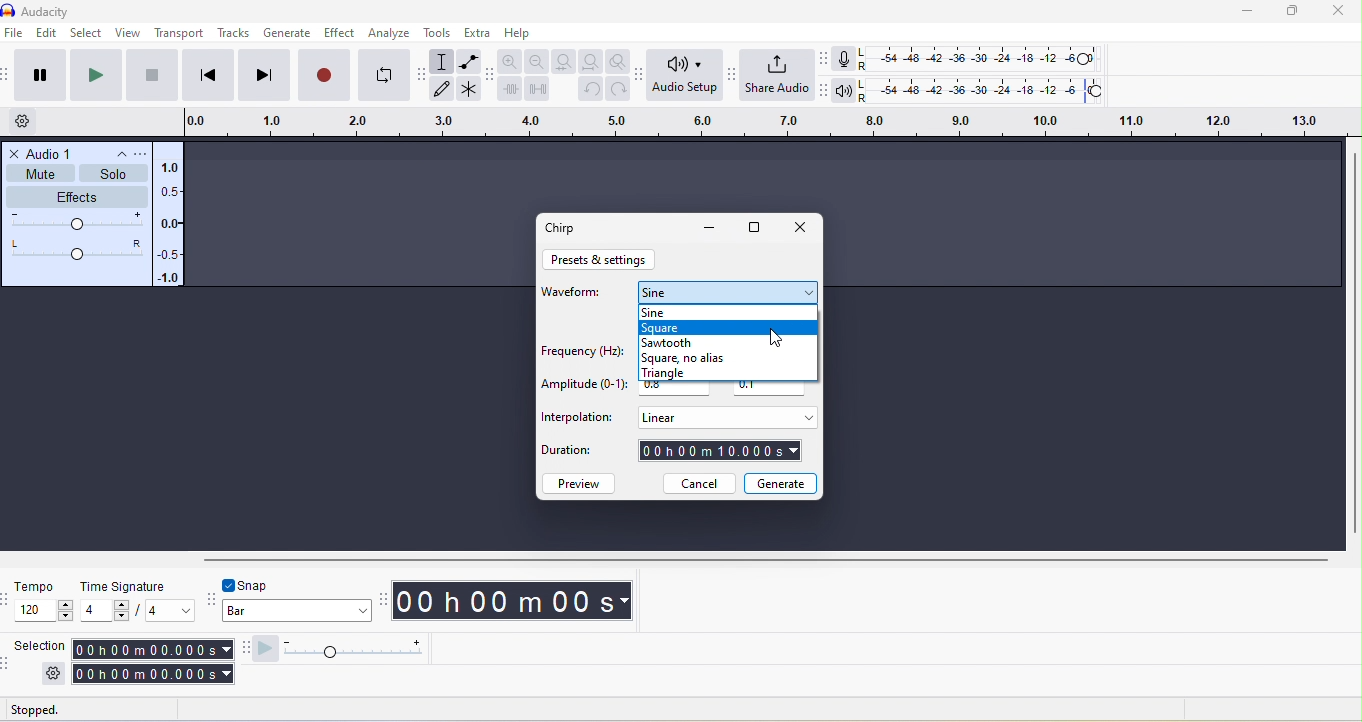 The image size is (1362, 722). What do you see at coordinates (213, 597) in the screenshot?
I see `audacity snapping toolbar` at bounding box center [213, 597].